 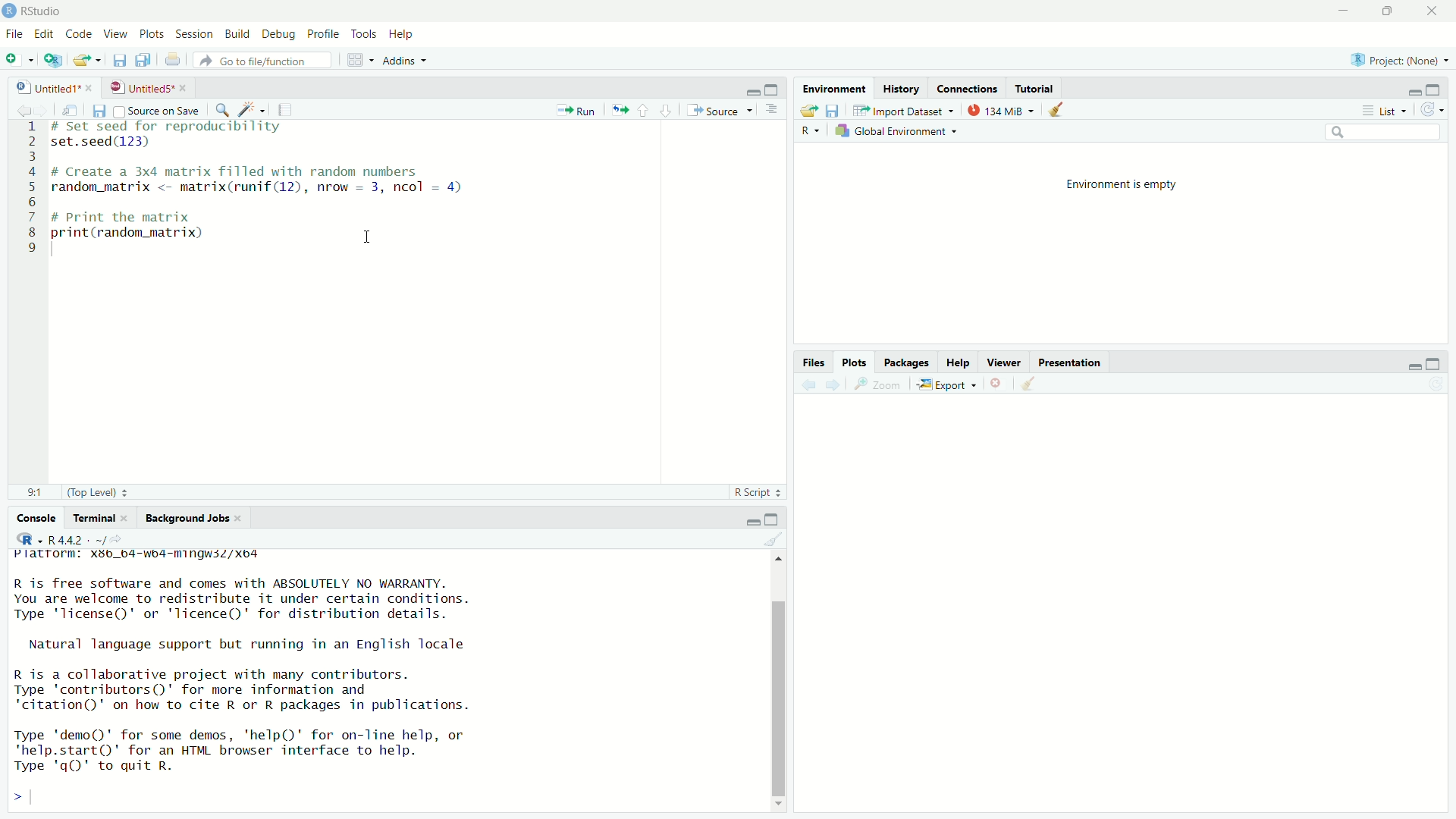 What do you see at coordinates (1392, 14) in the screenshot?
I see `maximise` at bounding box center [1392, 14].